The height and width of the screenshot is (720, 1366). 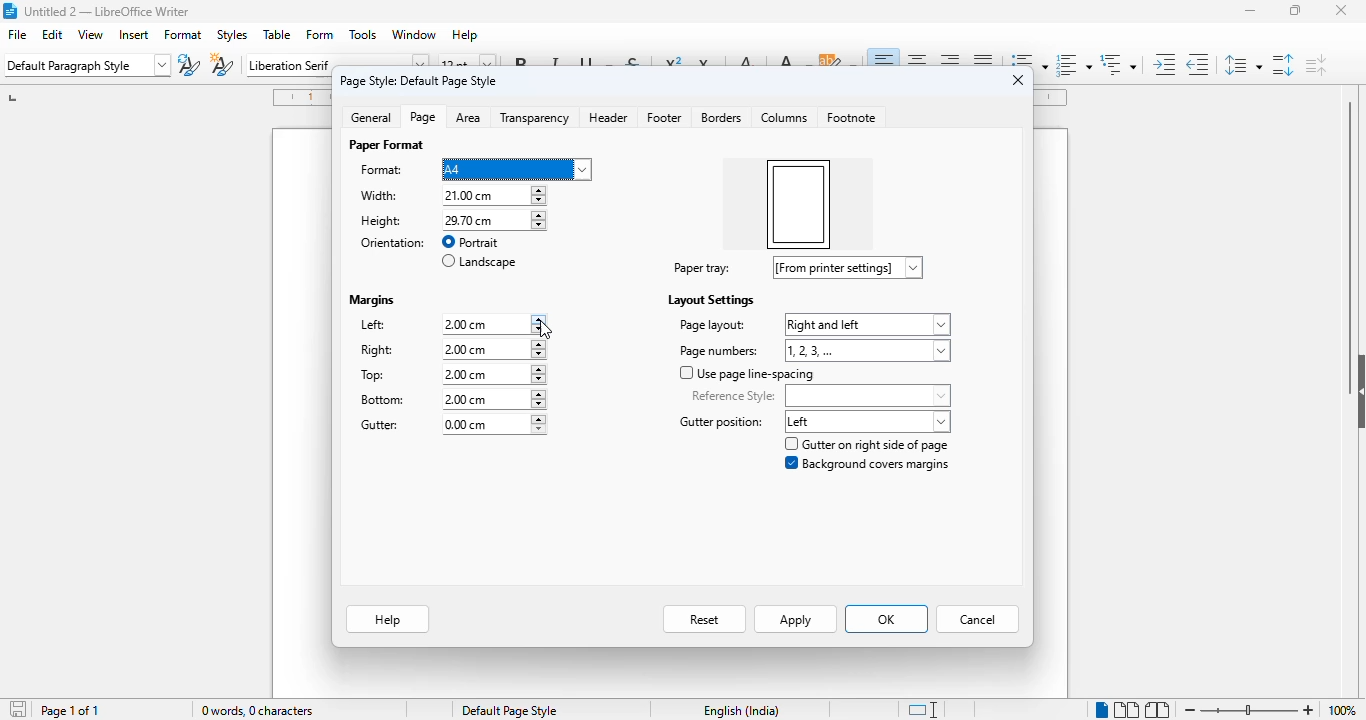 What do you see at coordinates (783, 117) in the screenshot?
I see `columns` at bounding box center [783, 117].